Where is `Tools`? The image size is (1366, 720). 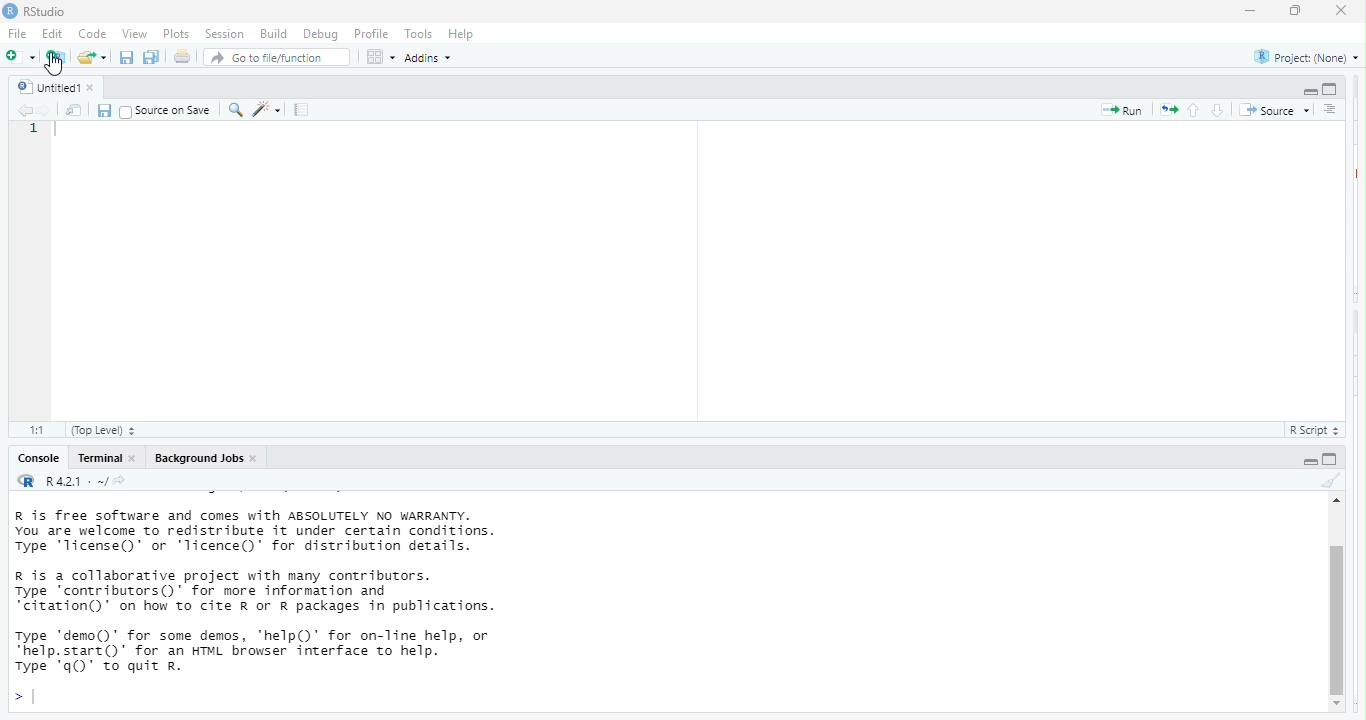 Tools is located at coordinates (418, 35).